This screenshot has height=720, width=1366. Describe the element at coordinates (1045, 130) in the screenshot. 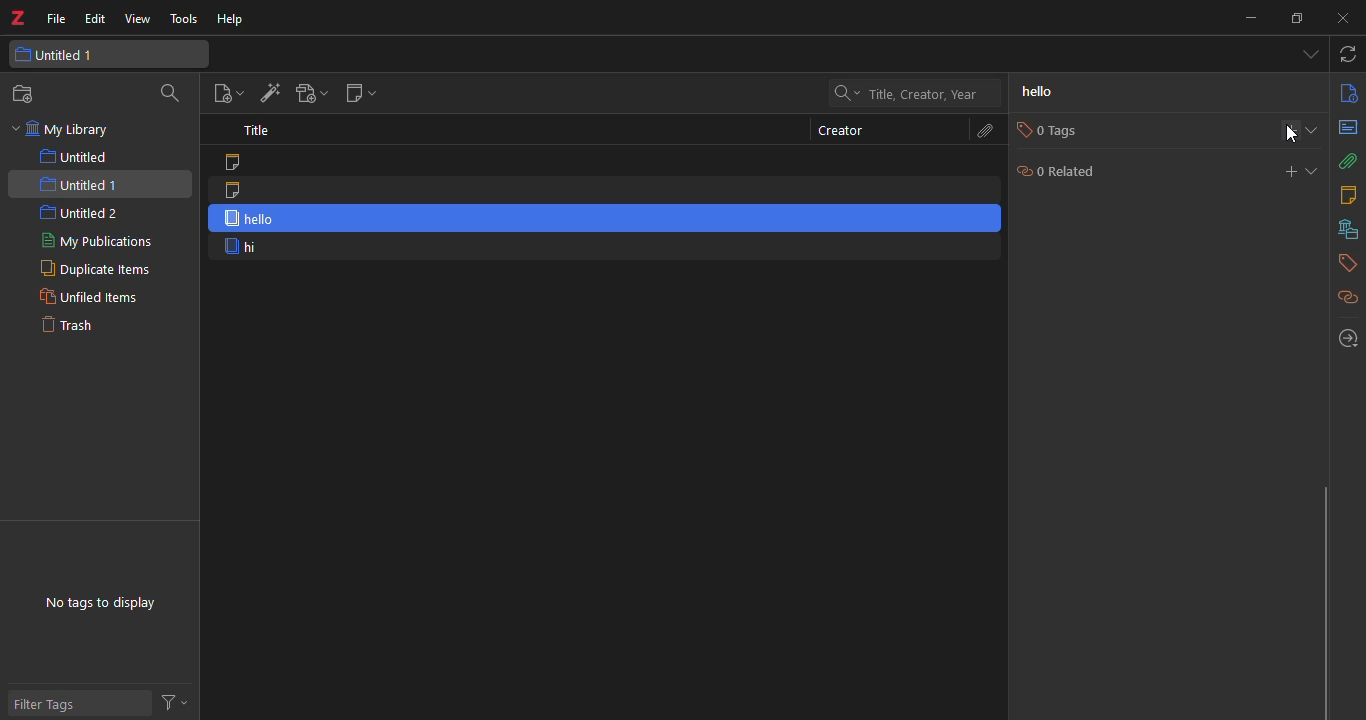

I see `0 tags` at that location.